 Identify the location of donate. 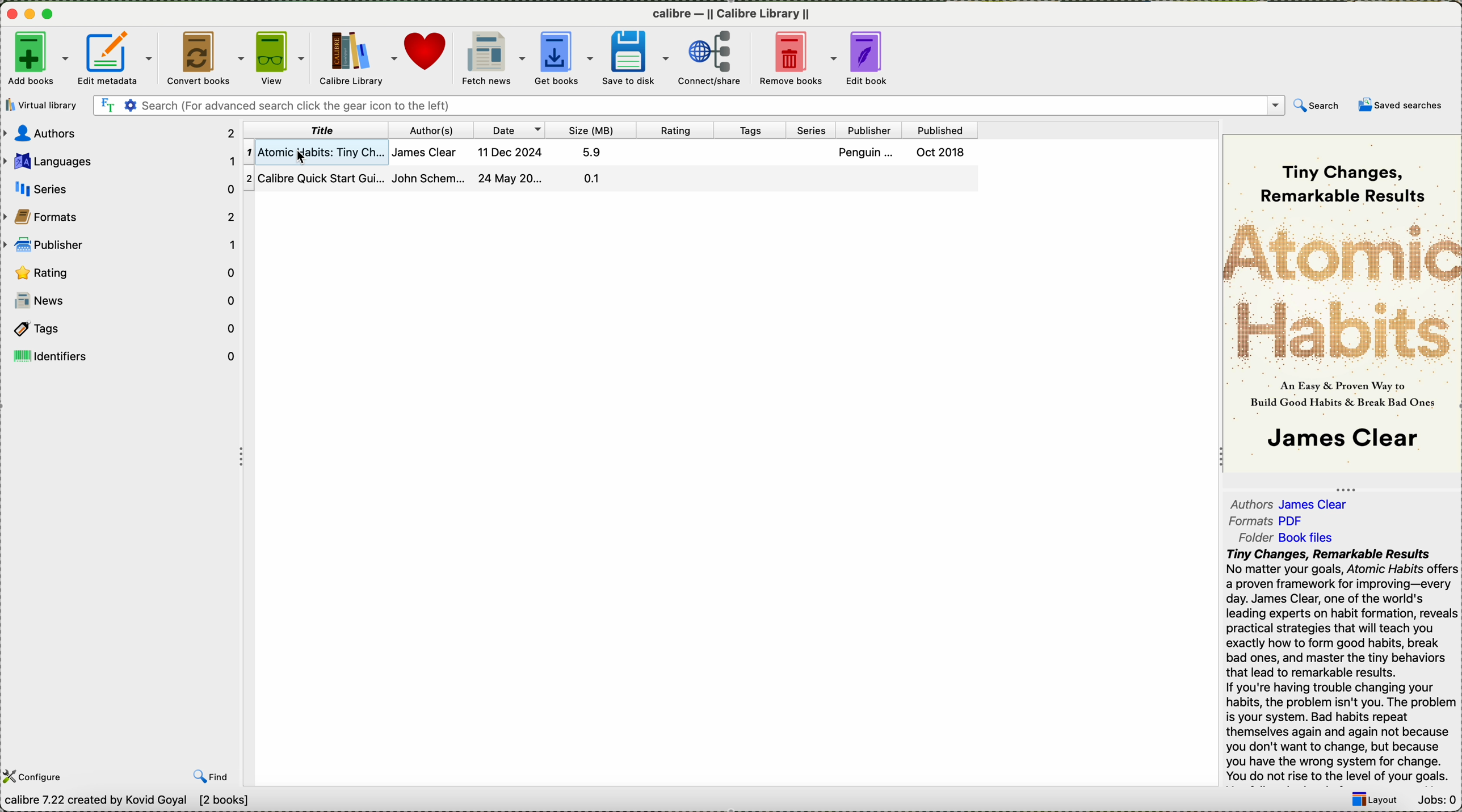
(427, 57).